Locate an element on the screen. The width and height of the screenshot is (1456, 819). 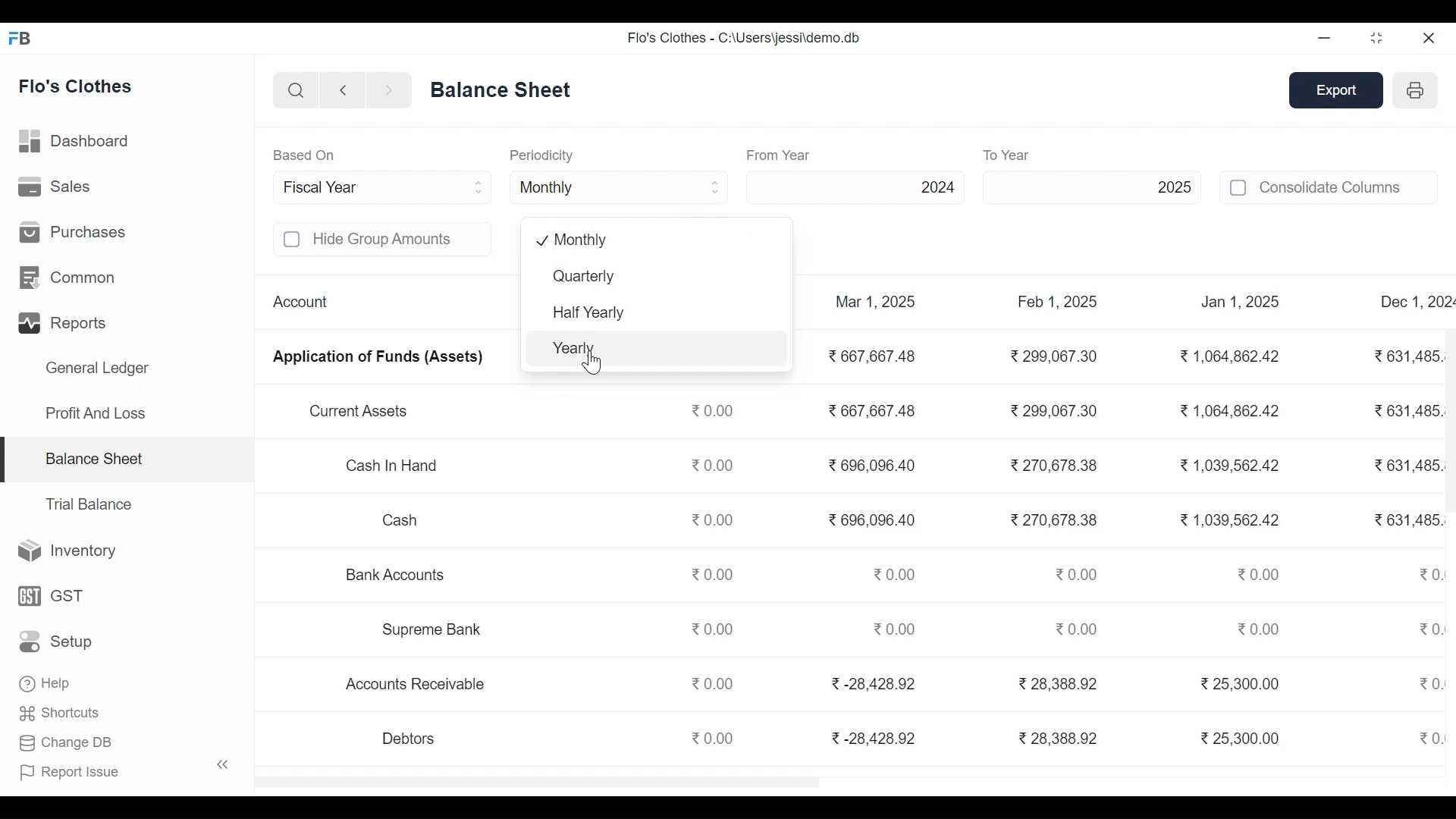
dashboard is located at coordinates (77, 144).